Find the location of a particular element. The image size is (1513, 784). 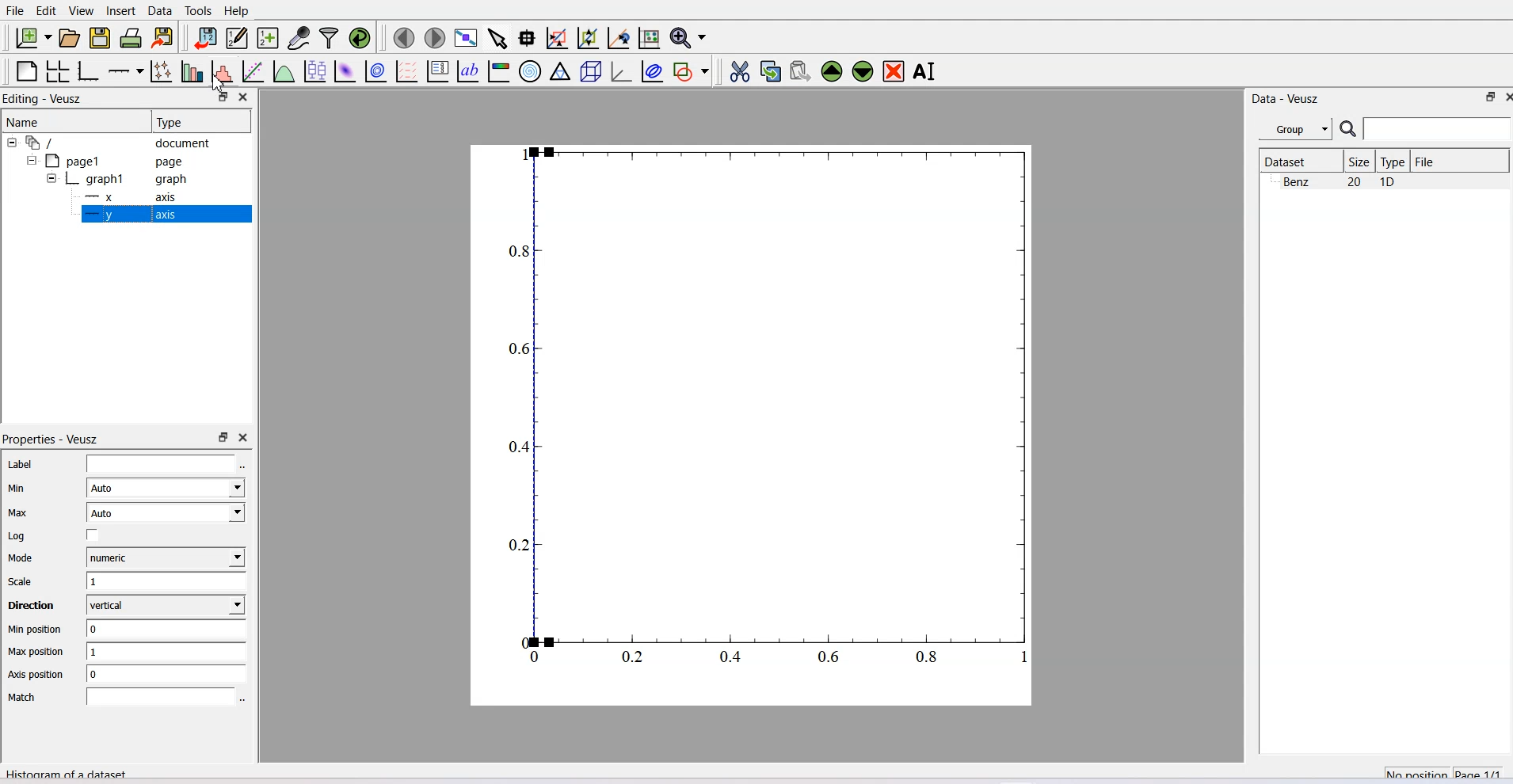

Zoom out of graph axes is located at coordinates (589, 38).